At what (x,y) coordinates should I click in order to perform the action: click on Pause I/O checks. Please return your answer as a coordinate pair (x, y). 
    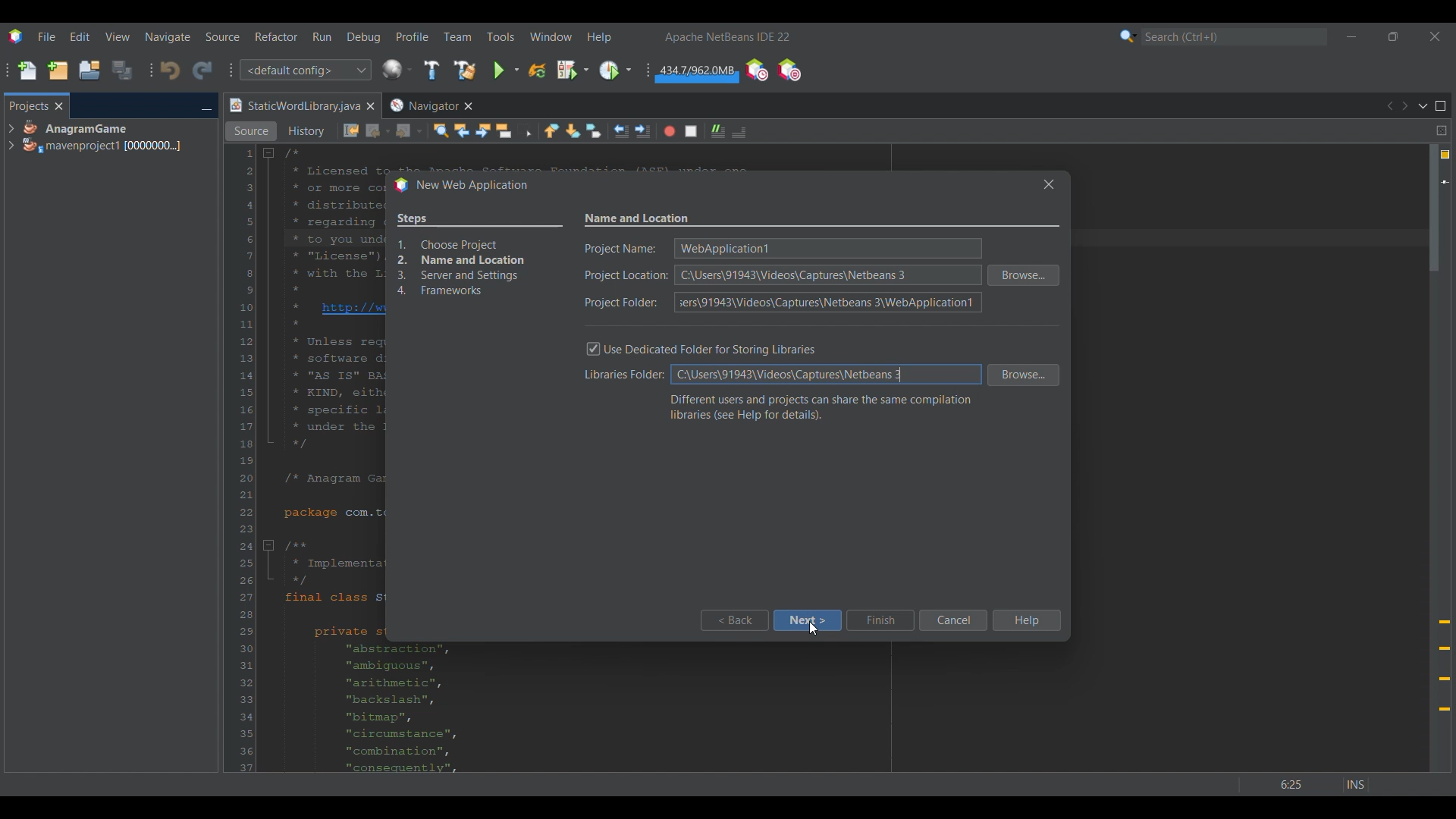
    Looking at the image, I should click on (789, 70).